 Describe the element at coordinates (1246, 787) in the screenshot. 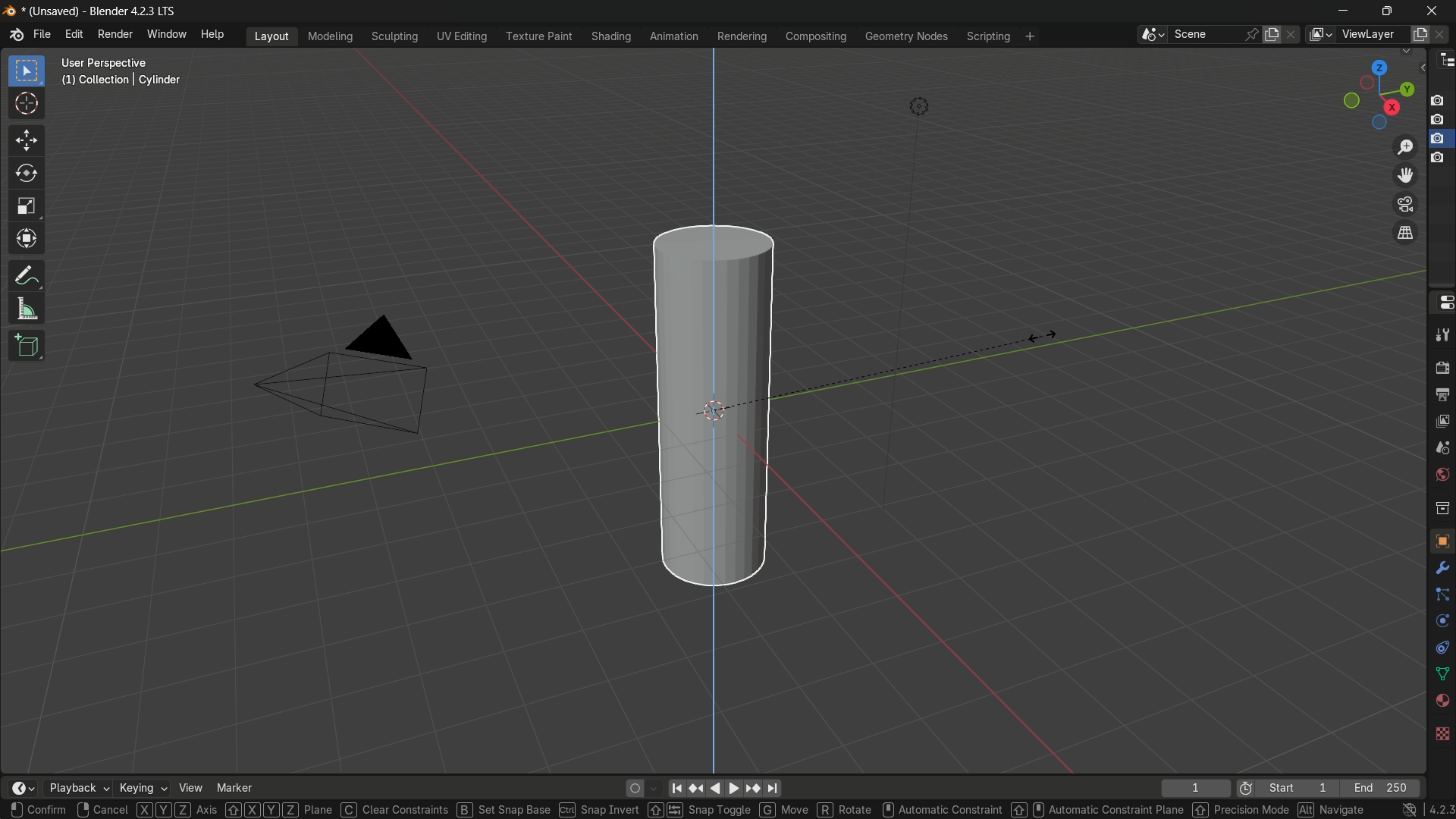

I see `icon` at that location.